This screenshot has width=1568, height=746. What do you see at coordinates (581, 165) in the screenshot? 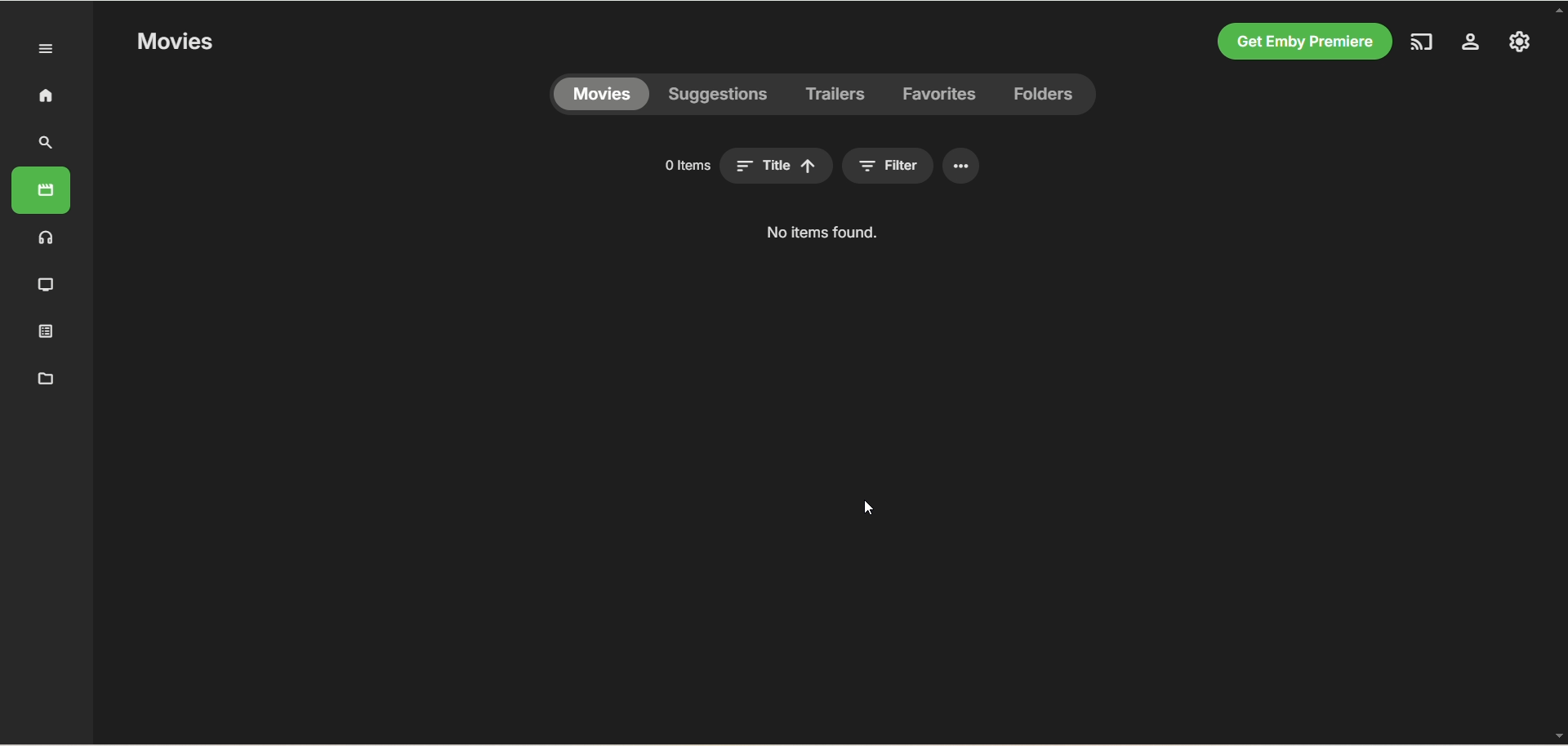
I see `number of items` at bounding box center [581, 165].